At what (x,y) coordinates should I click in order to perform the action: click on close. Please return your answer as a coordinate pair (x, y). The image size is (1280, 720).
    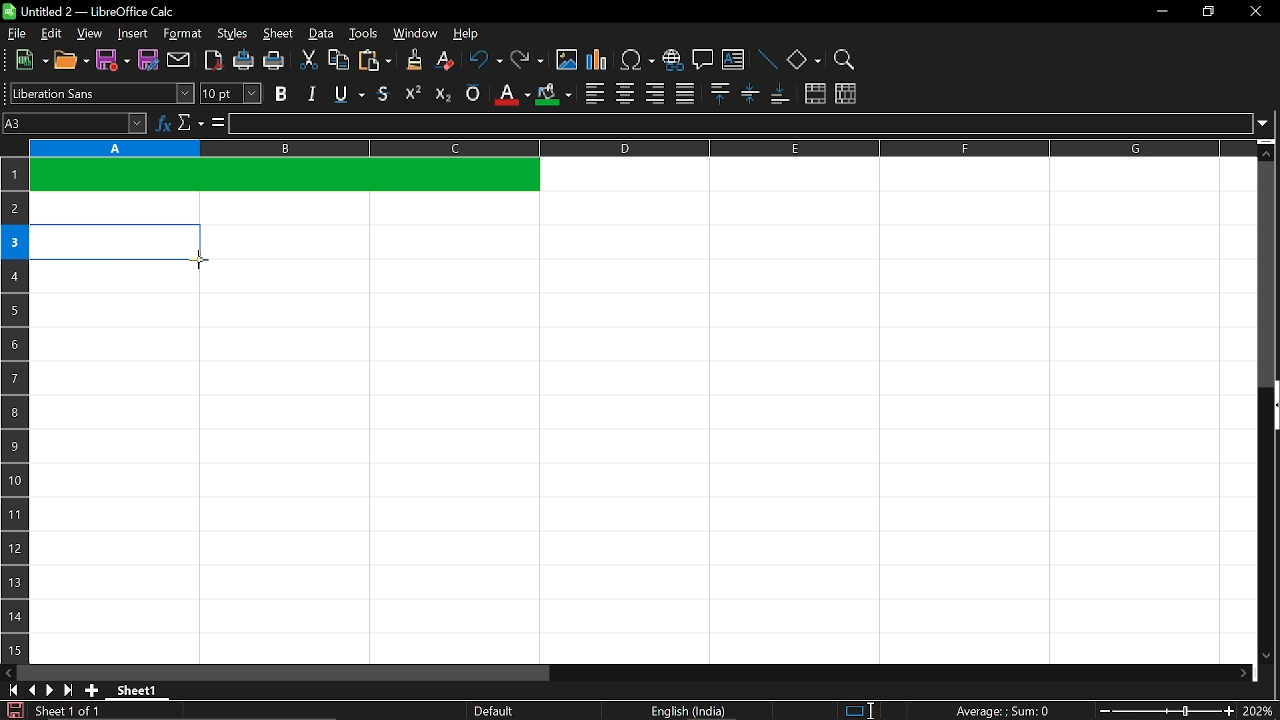
    Looking at the image, I should click on (1257, 12).